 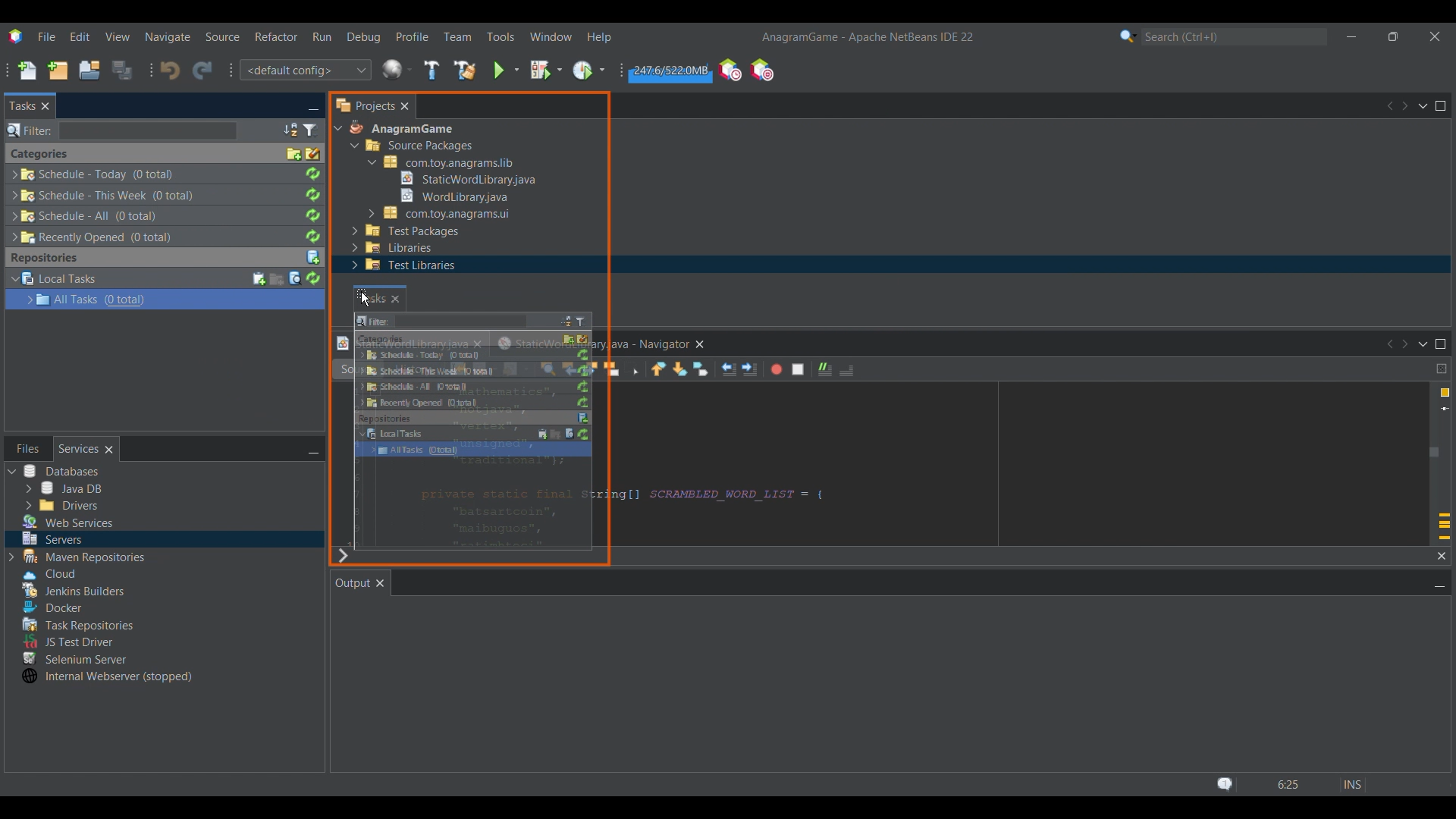 I want to click on Search box, so click(x=148, y=130).